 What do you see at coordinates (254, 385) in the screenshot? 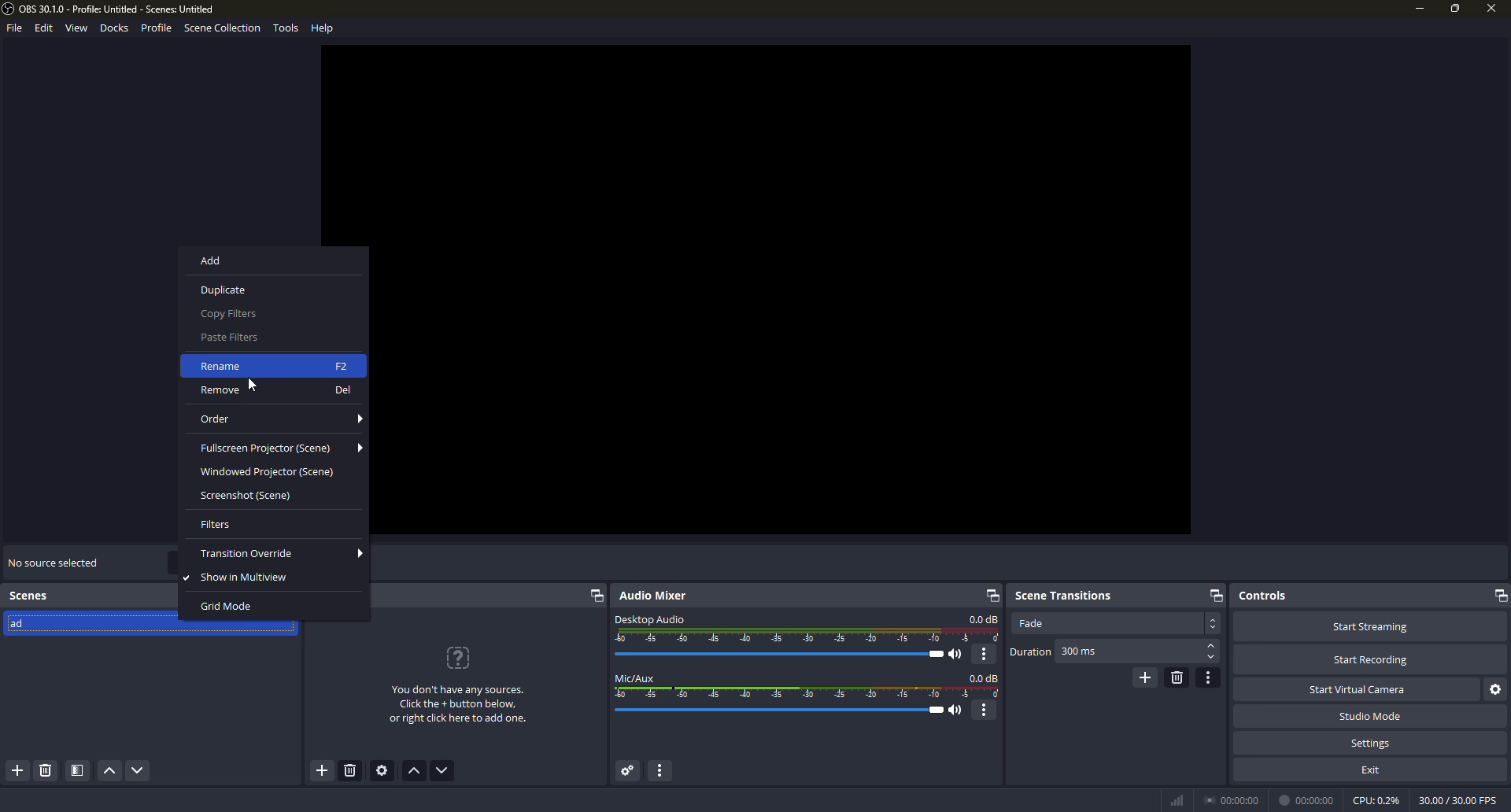
I see `cursor` at bounding box center [254, 385].